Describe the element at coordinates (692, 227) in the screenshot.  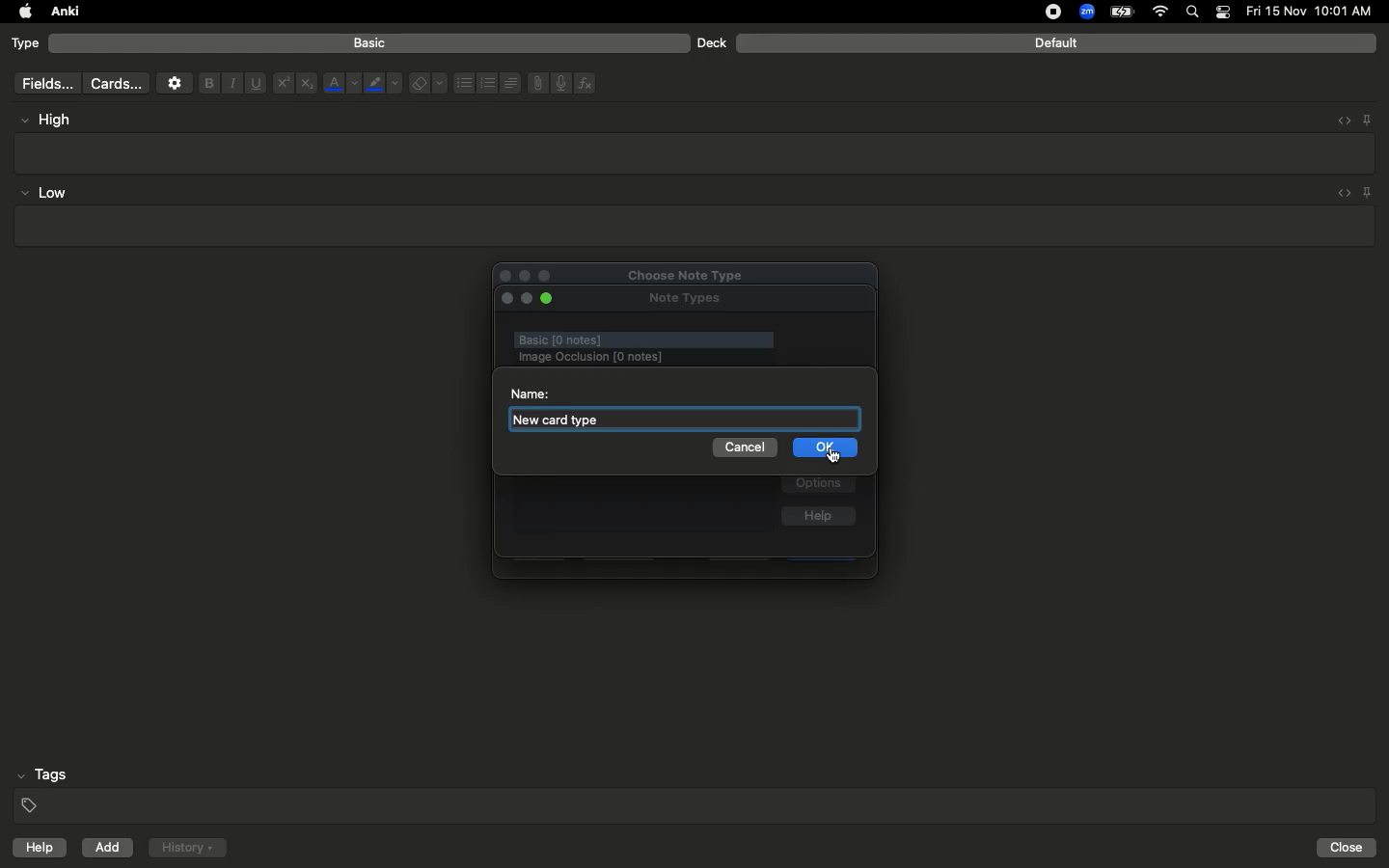
I see `Textbox` at that location.